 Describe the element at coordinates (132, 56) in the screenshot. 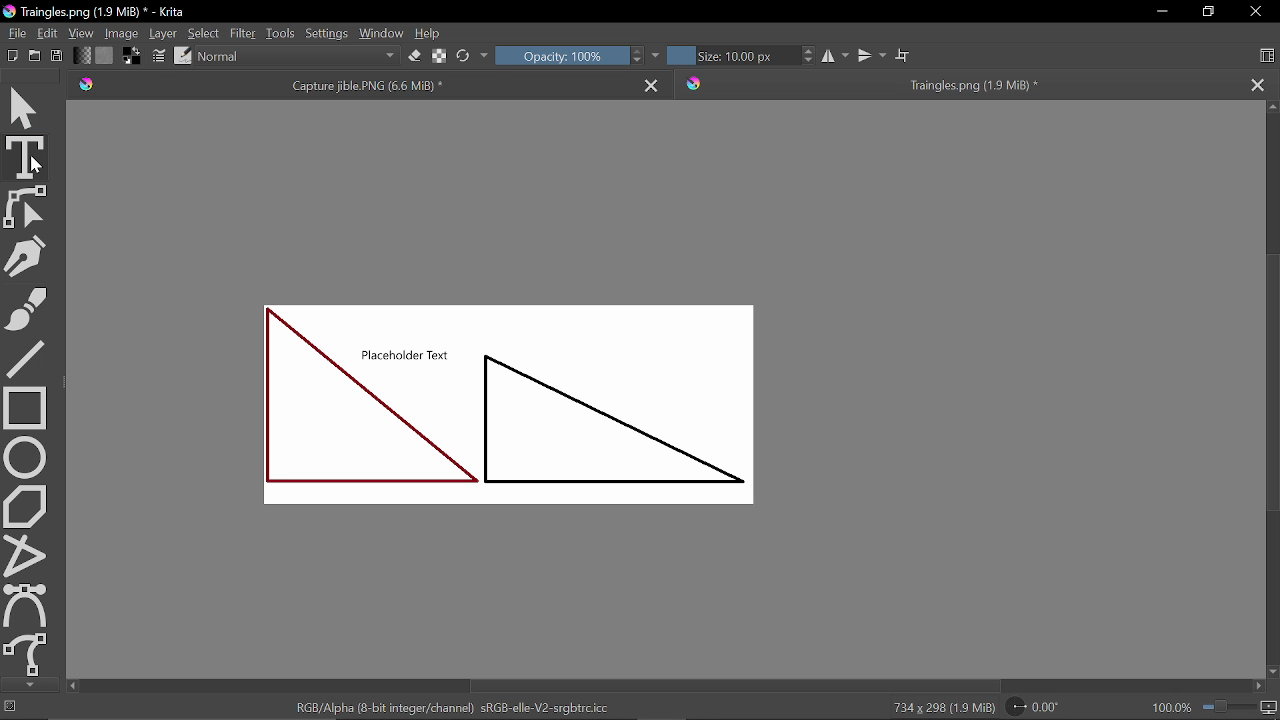

I see `Foreground color` at that location.